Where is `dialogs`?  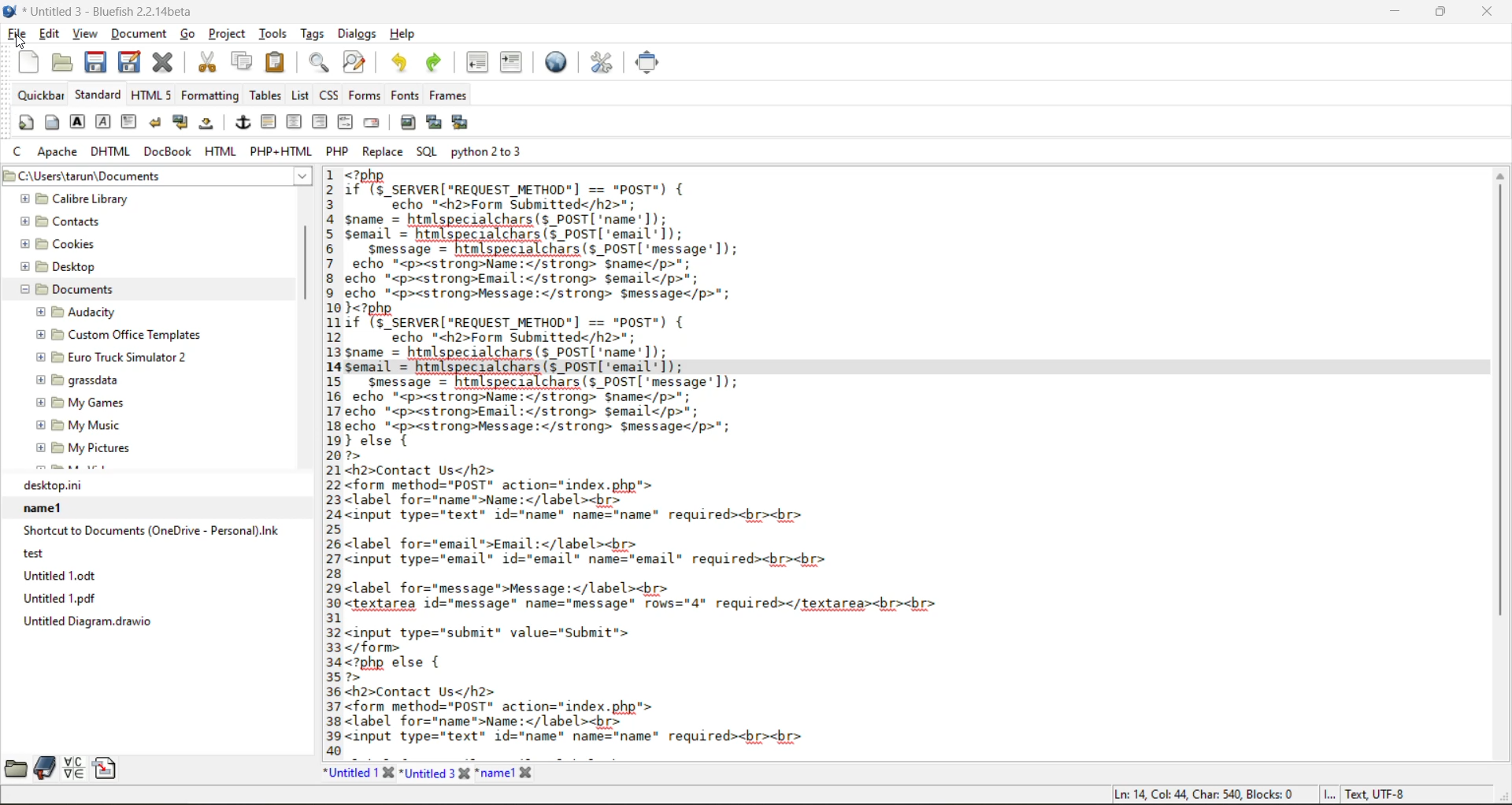
dialogs is located at coordinates (354, 35).